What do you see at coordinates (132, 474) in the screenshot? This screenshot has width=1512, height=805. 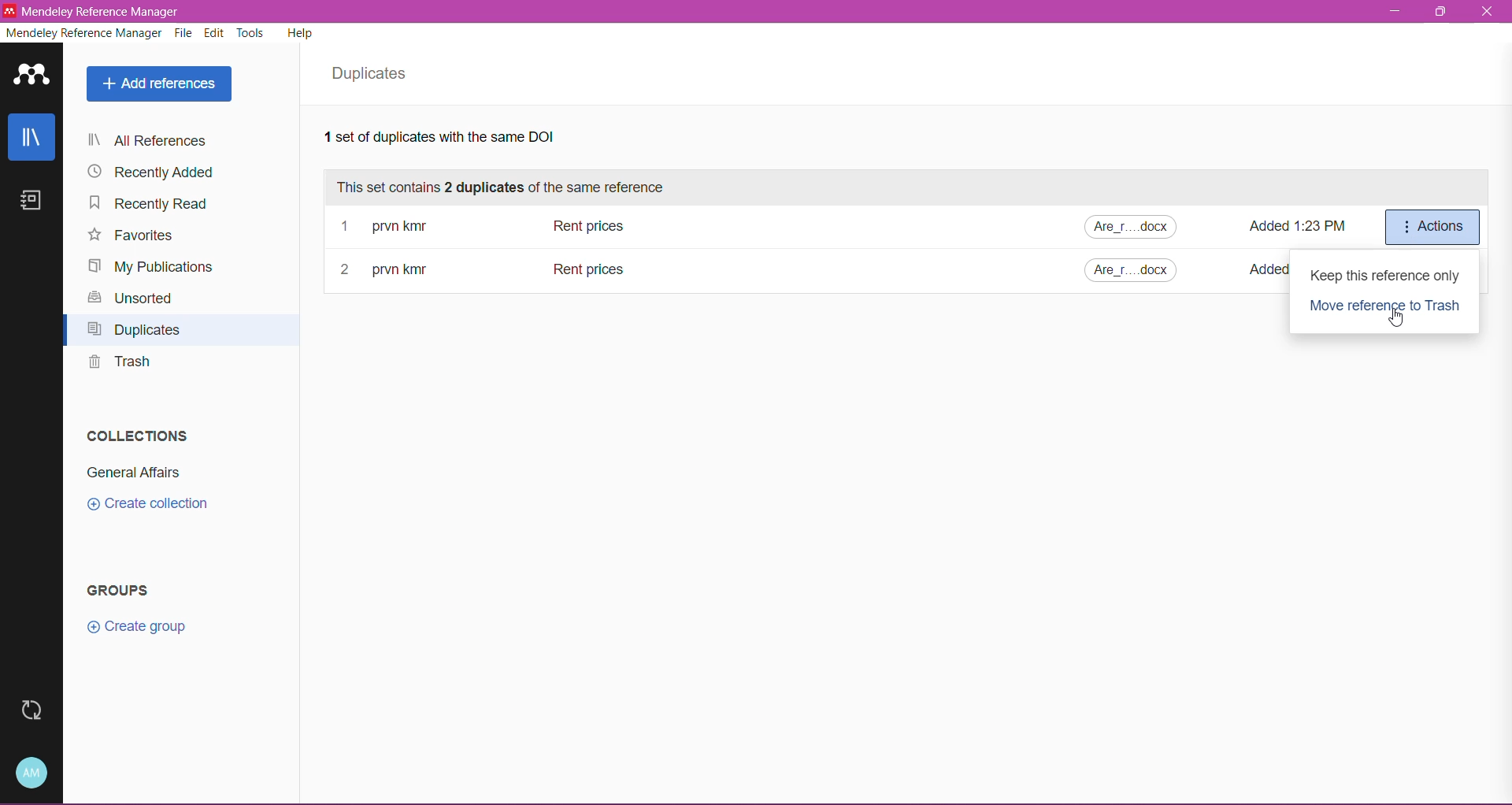 I see `Collection Name` at bounding box center [132, 474].